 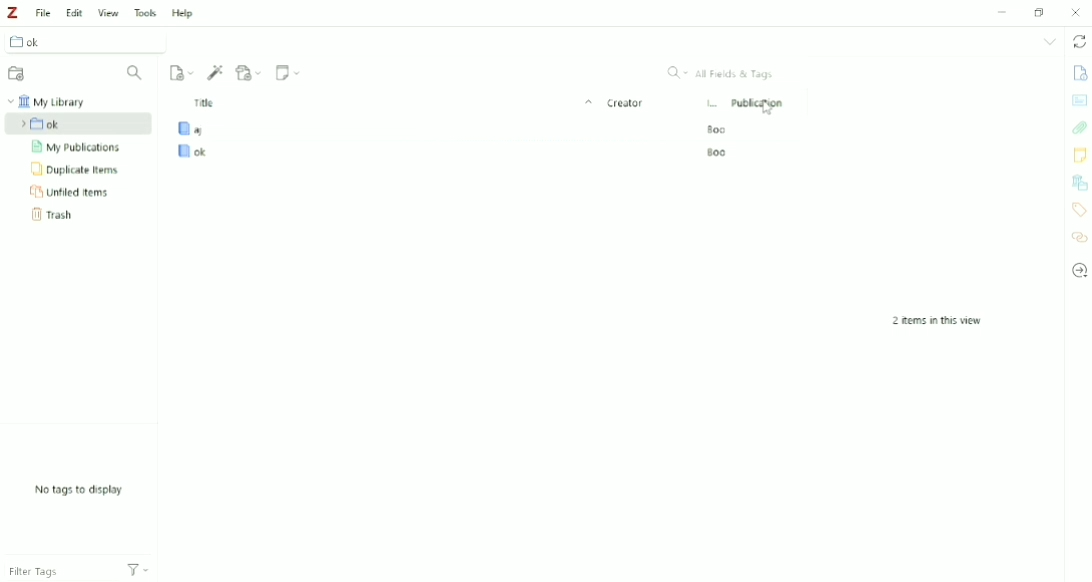 I want to click on Publication, so click(x=762, y=105).